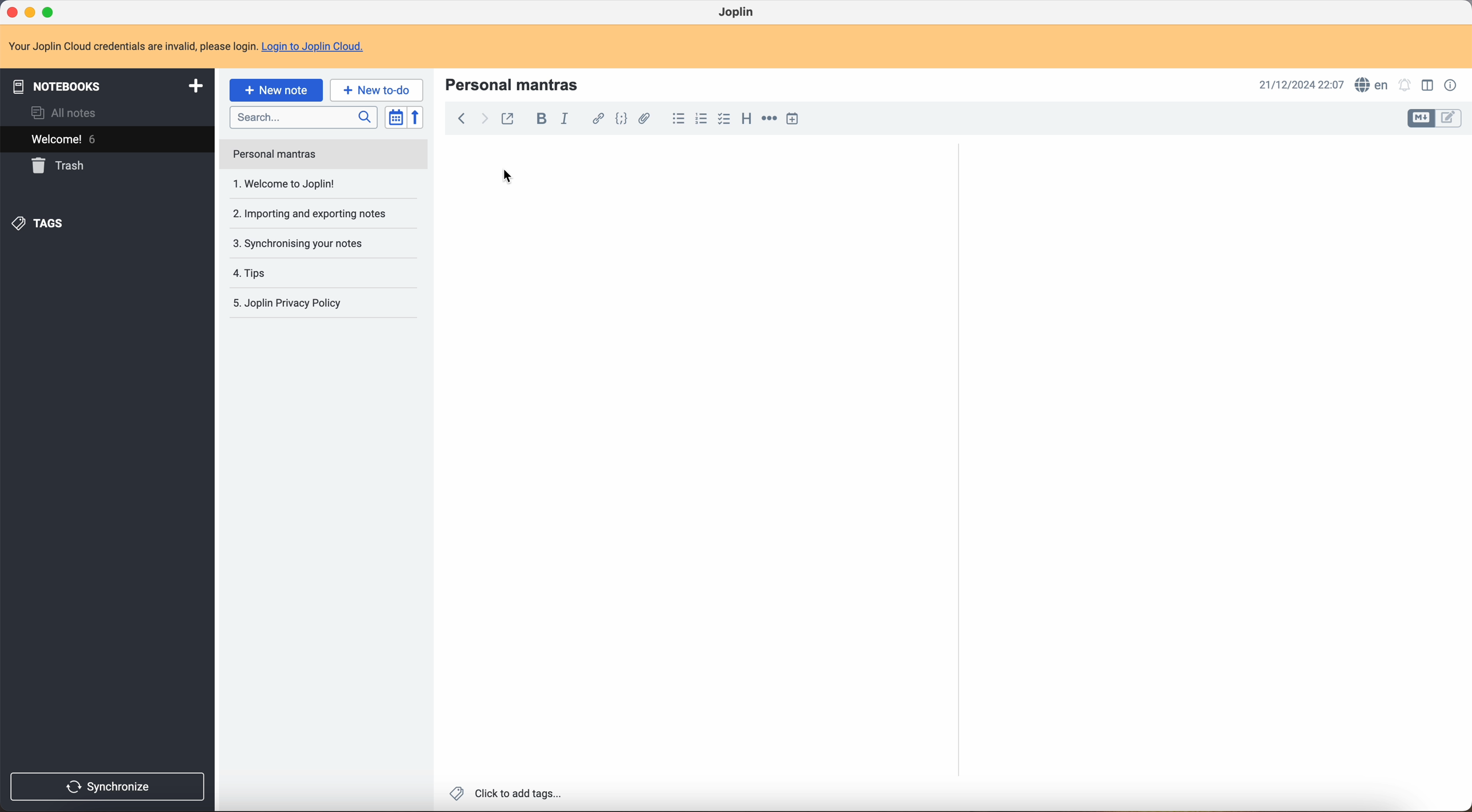  Describe the element at coordinates (461, 120) in the screenshot. I see `back` at that location.